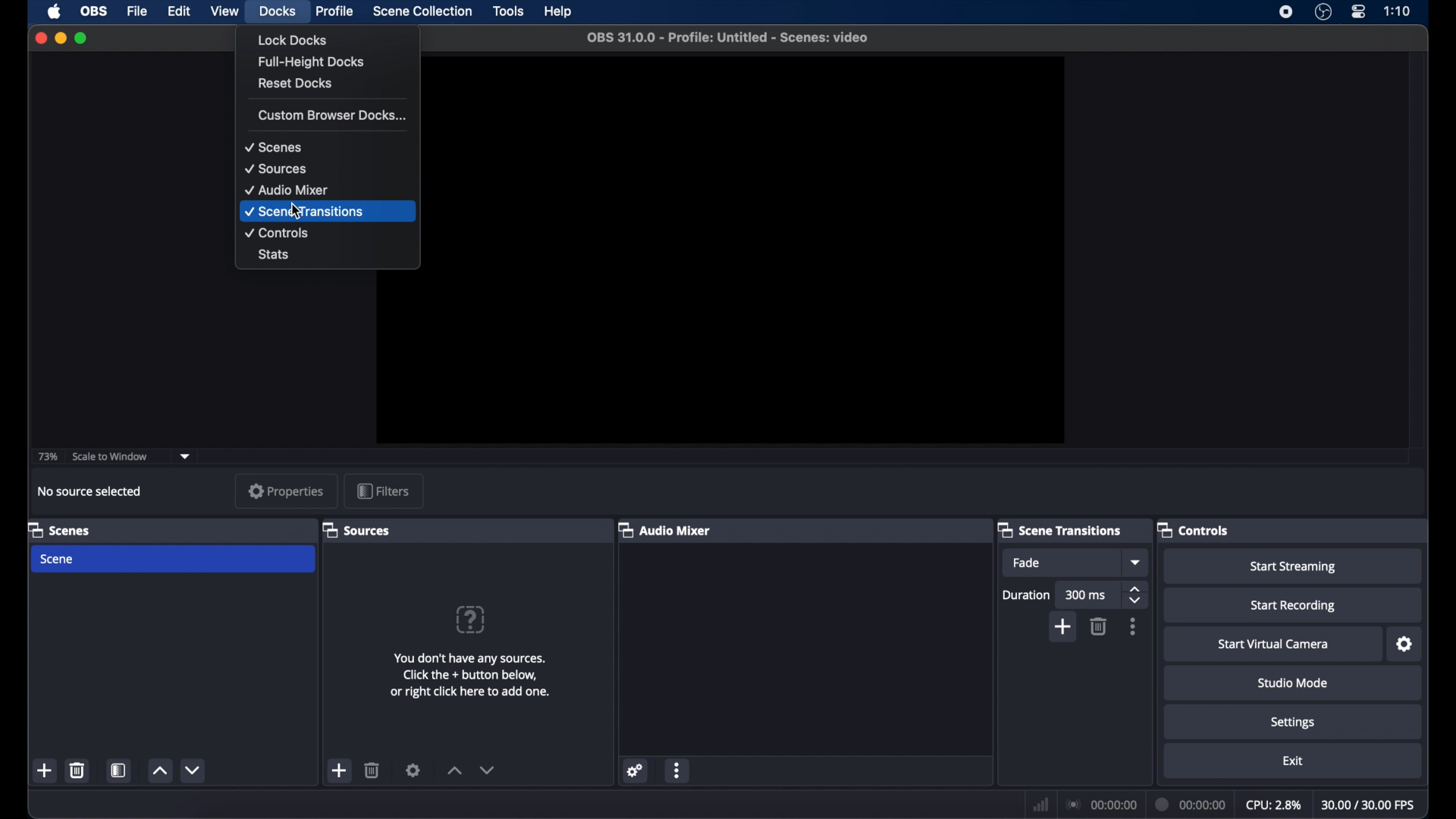 This screenshot has height=819, width=1456. What do you see at coordinates (291, 40) in the screenshot?
I see `lock docks` at bounding box center [291, 40].